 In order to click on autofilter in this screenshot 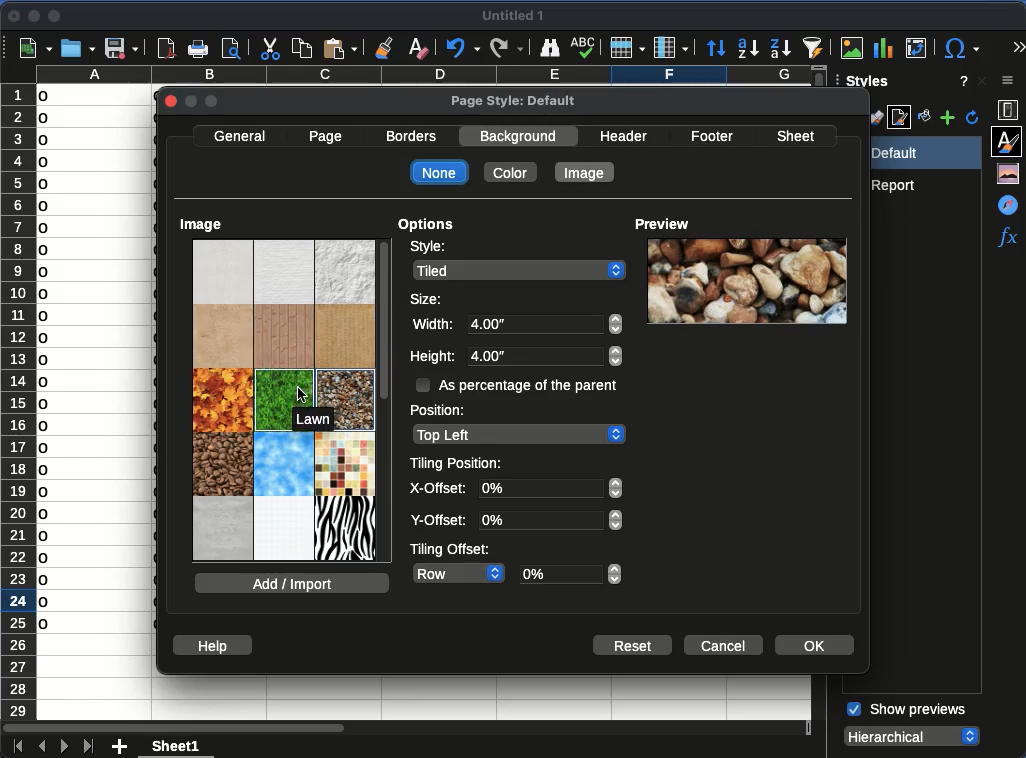, I will do `click(814, 46)`.